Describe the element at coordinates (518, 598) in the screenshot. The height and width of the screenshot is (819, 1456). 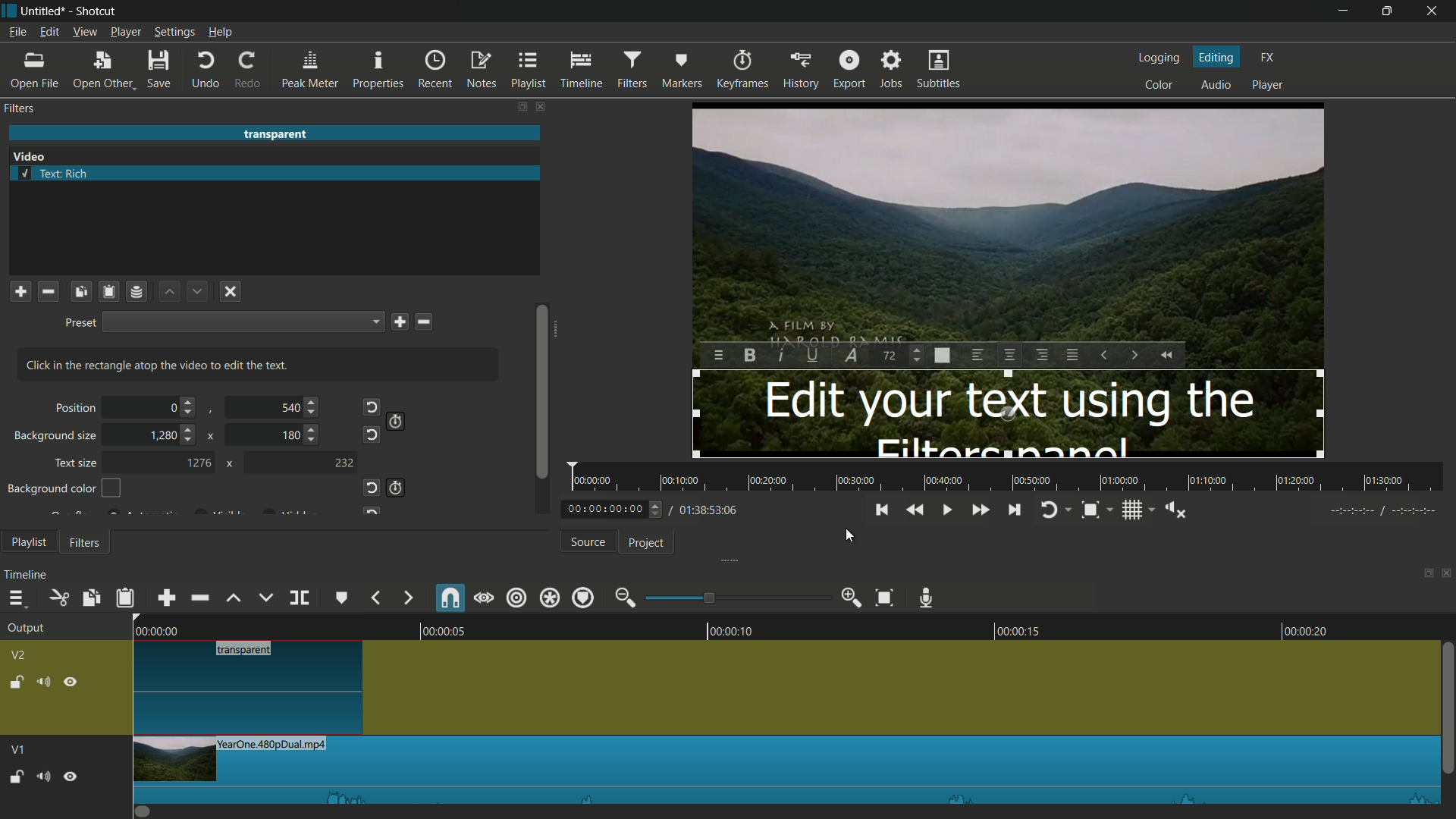
I see `ripple` at that location.